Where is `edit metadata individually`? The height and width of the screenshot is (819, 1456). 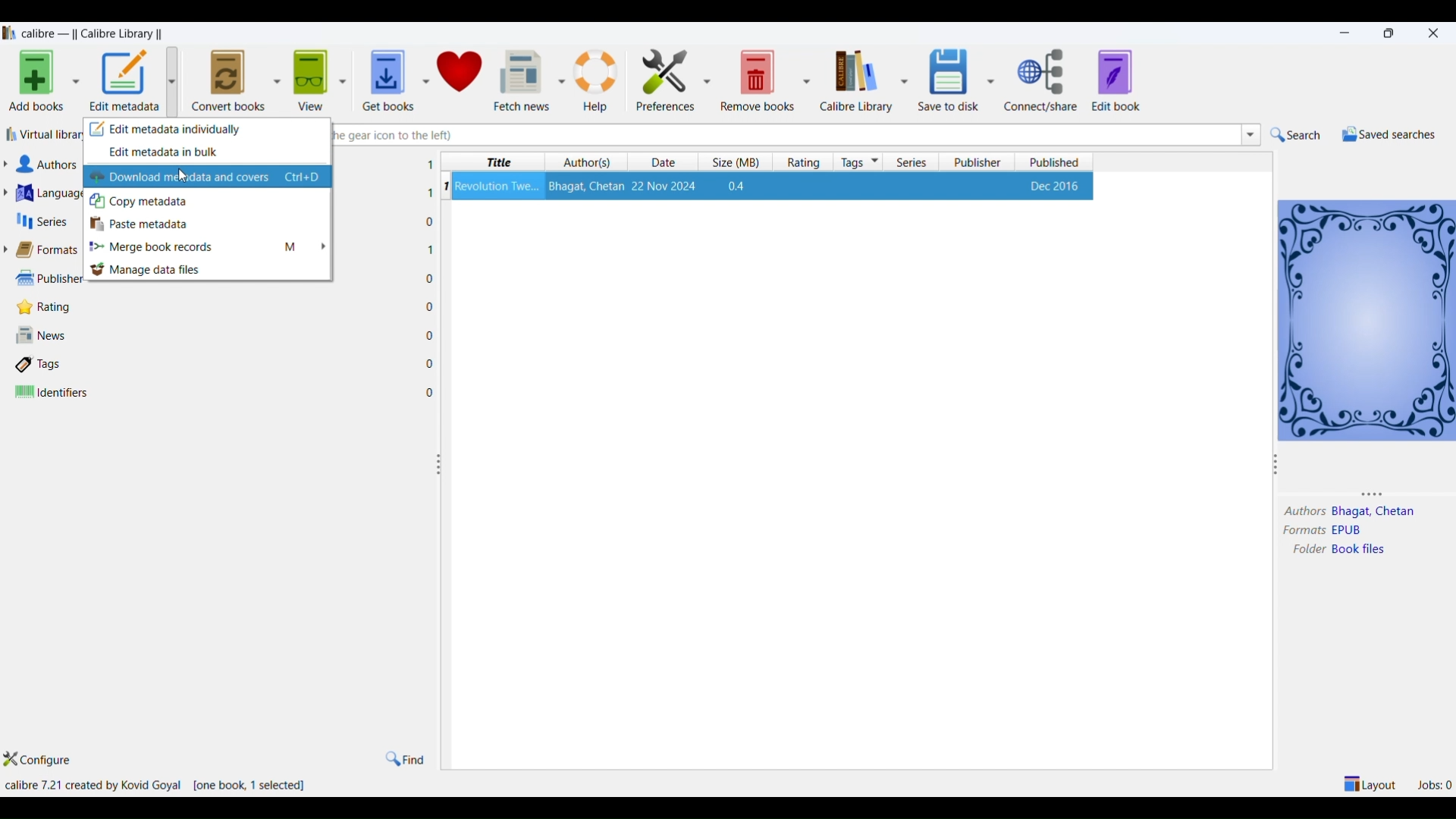
edit metadata individually is located at coordinates (208, 131).